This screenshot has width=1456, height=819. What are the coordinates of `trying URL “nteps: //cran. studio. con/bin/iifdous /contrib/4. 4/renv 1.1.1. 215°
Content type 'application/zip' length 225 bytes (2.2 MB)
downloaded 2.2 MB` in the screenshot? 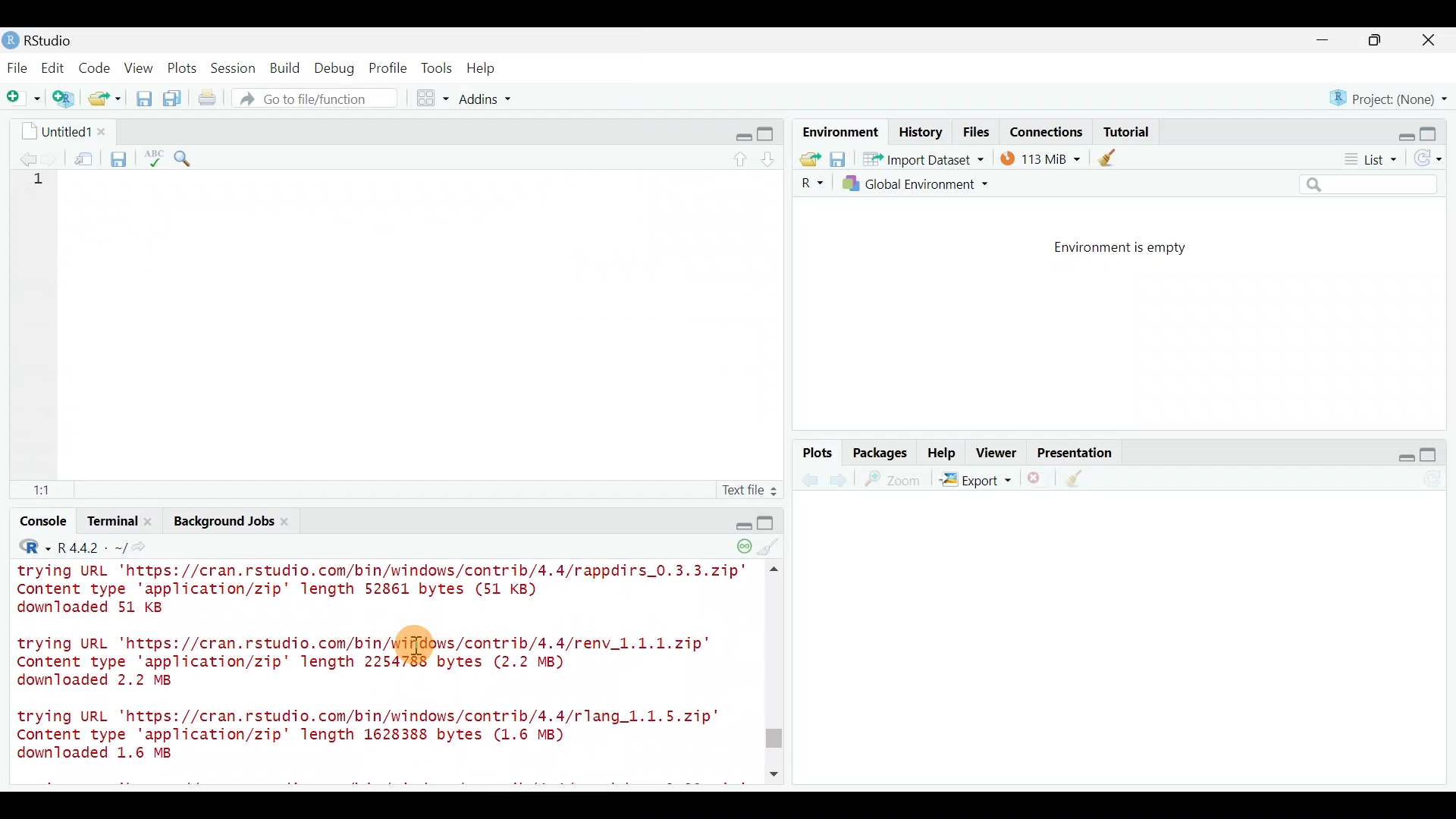 It's located at (372, 659).